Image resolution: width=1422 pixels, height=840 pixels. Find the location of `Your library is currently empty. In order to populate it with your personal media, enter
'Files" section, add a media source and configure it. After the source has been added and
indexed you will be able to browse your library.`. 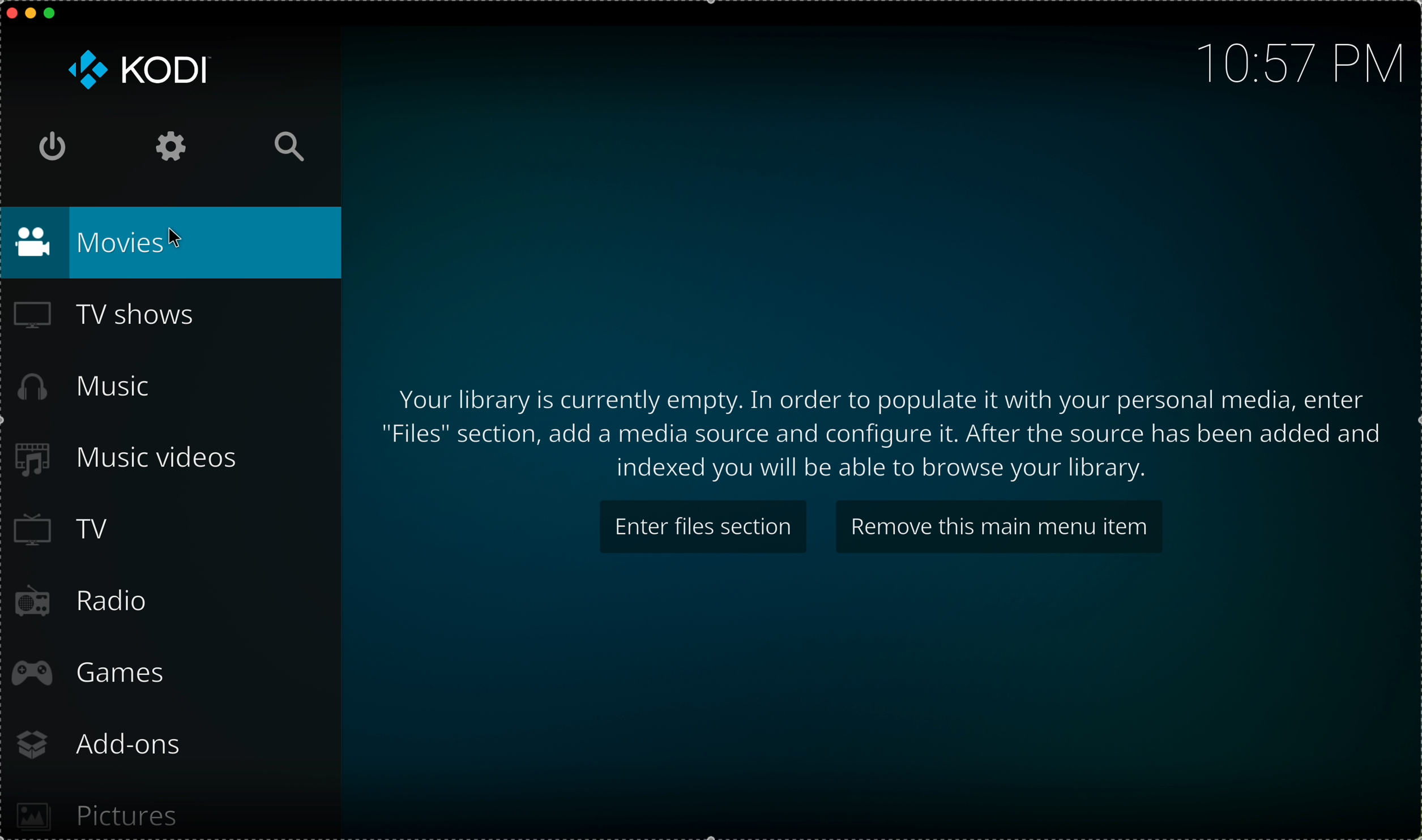

Your library is currently empty. In order to populate it with your personal media, enter
'Files" section, add a media source and configure it. After the source has been added and
indexed you will be able to browse your library. is located at coordinates (885, 432).